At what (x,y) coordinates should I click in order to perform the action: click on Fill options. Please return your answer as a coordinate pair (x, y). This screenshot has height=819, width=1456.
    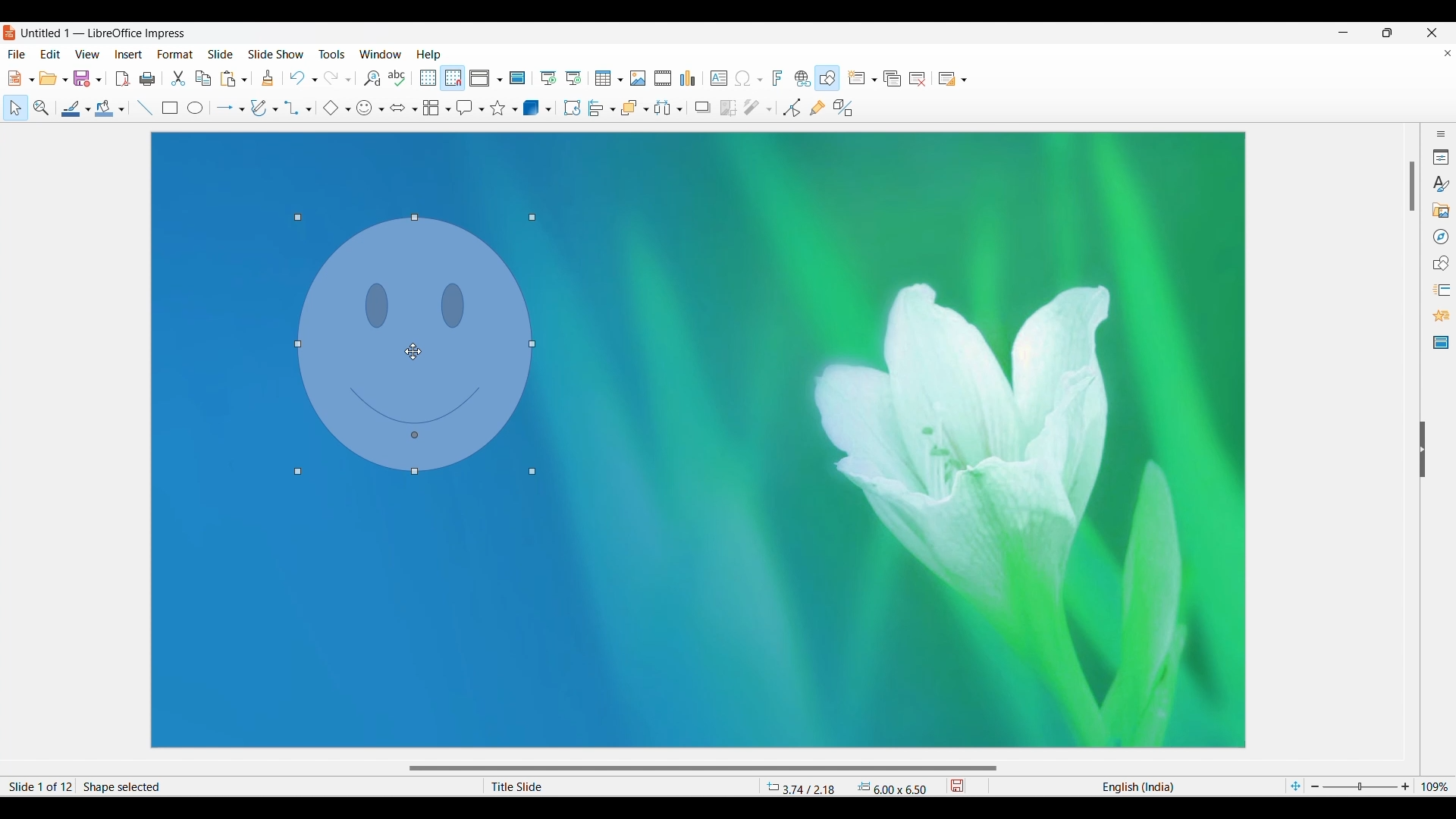
    Looking at the image, I should click on (121, 109).